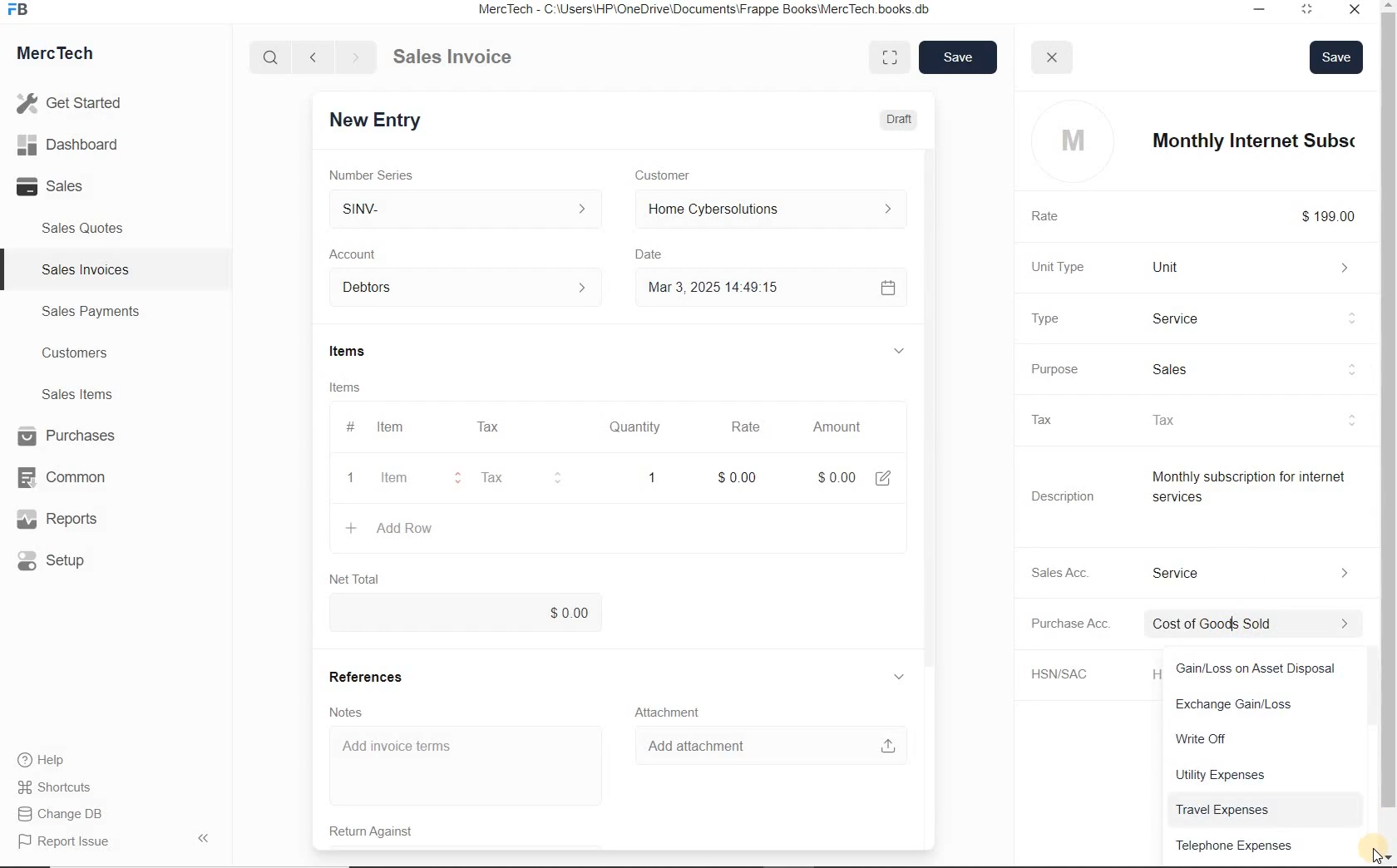  I want to click on SINV-, so click(474, 209).